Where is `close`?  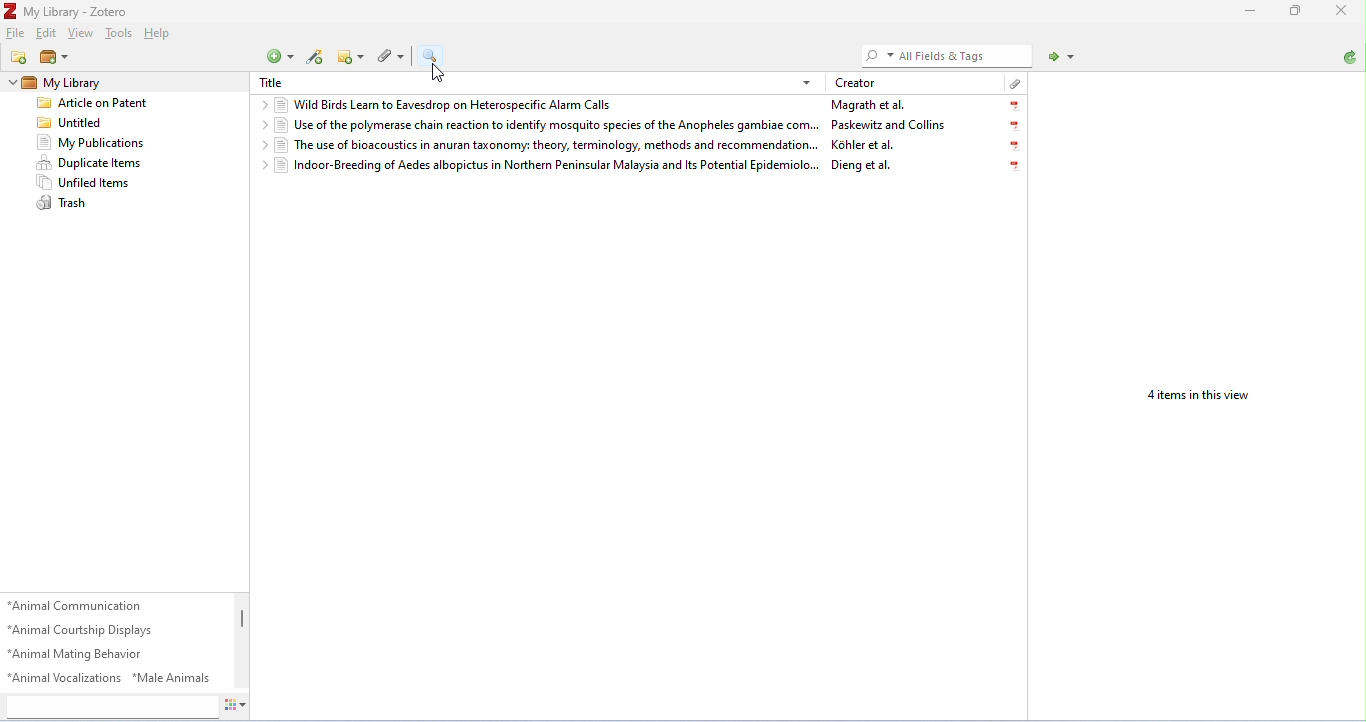 close is located at coordinates (1343, 12).